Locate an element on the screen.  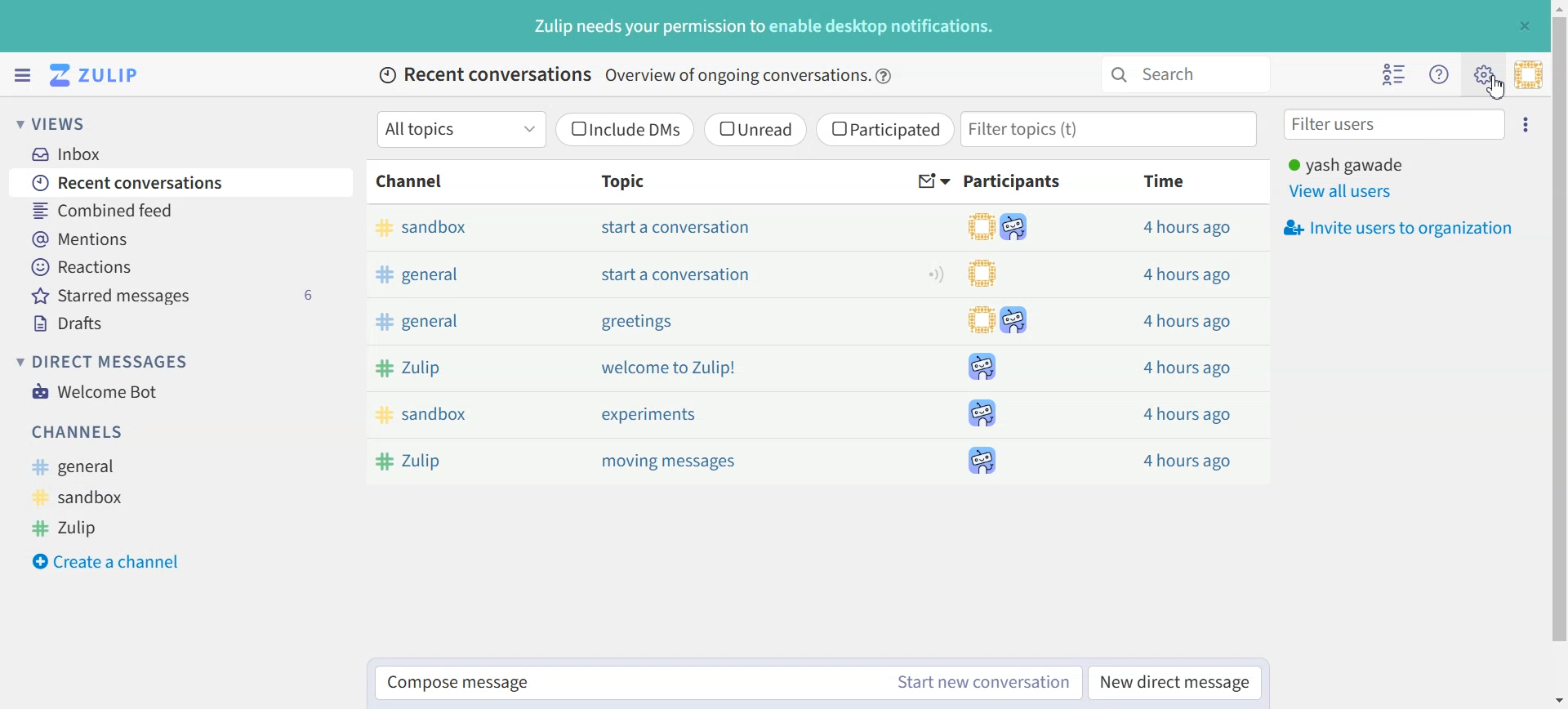
Configure topic notification is located at coordinates (936, 274).